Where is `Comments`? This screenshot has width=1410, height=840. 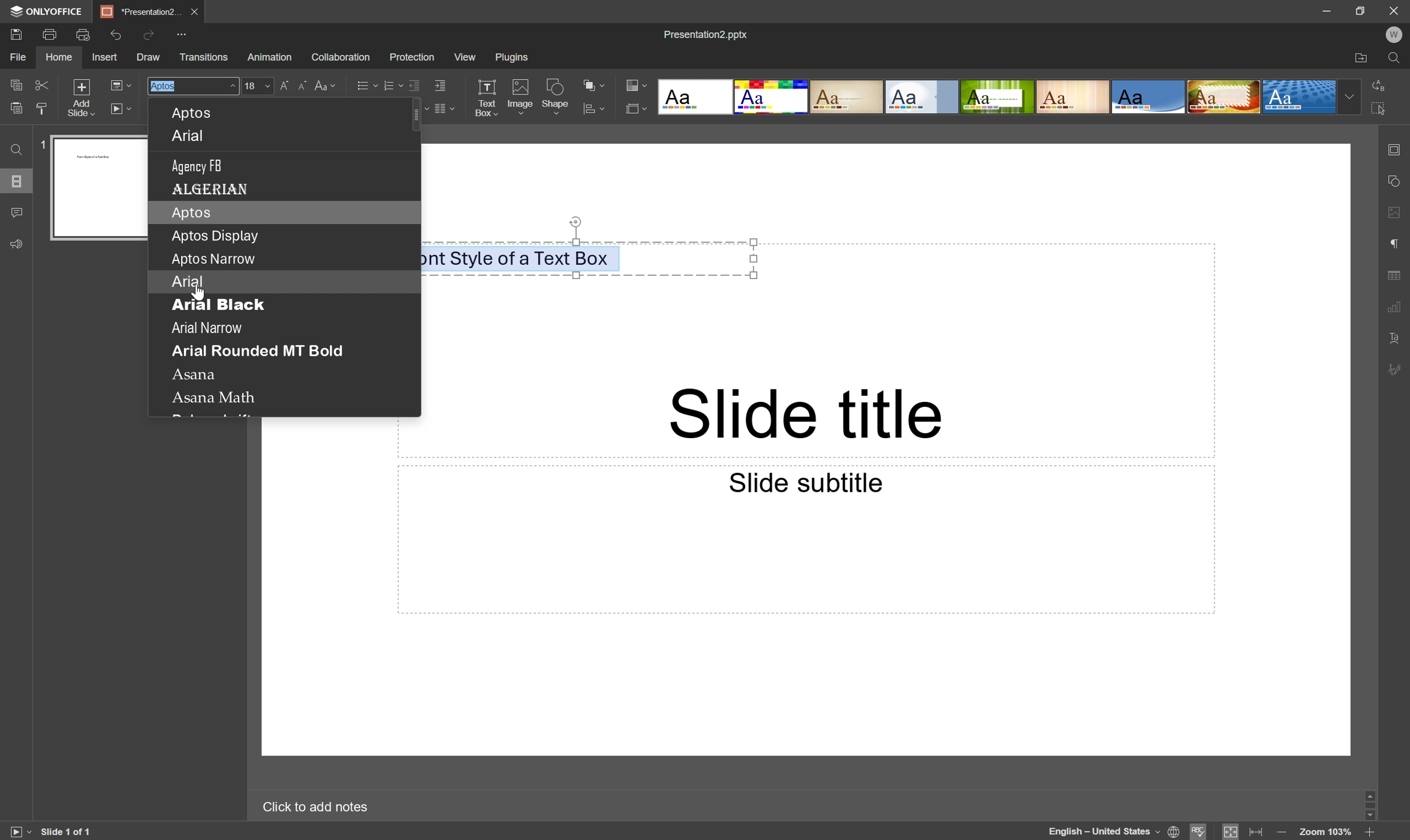
Comments is located at coordinates (19, 211).